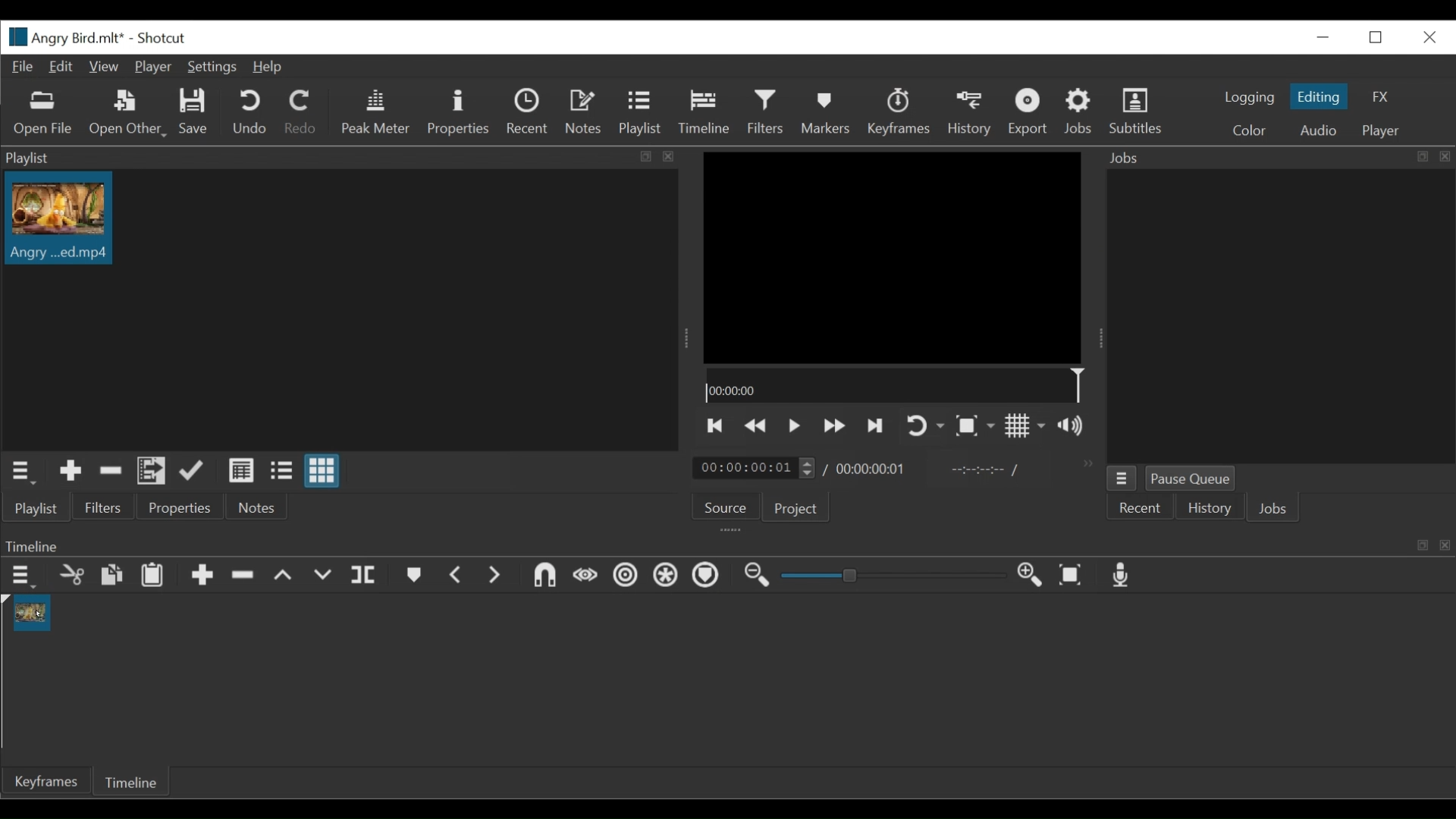 The width and height of the screenshot is (1456, 819). I want to click on Overwrite, so click(324, 577).